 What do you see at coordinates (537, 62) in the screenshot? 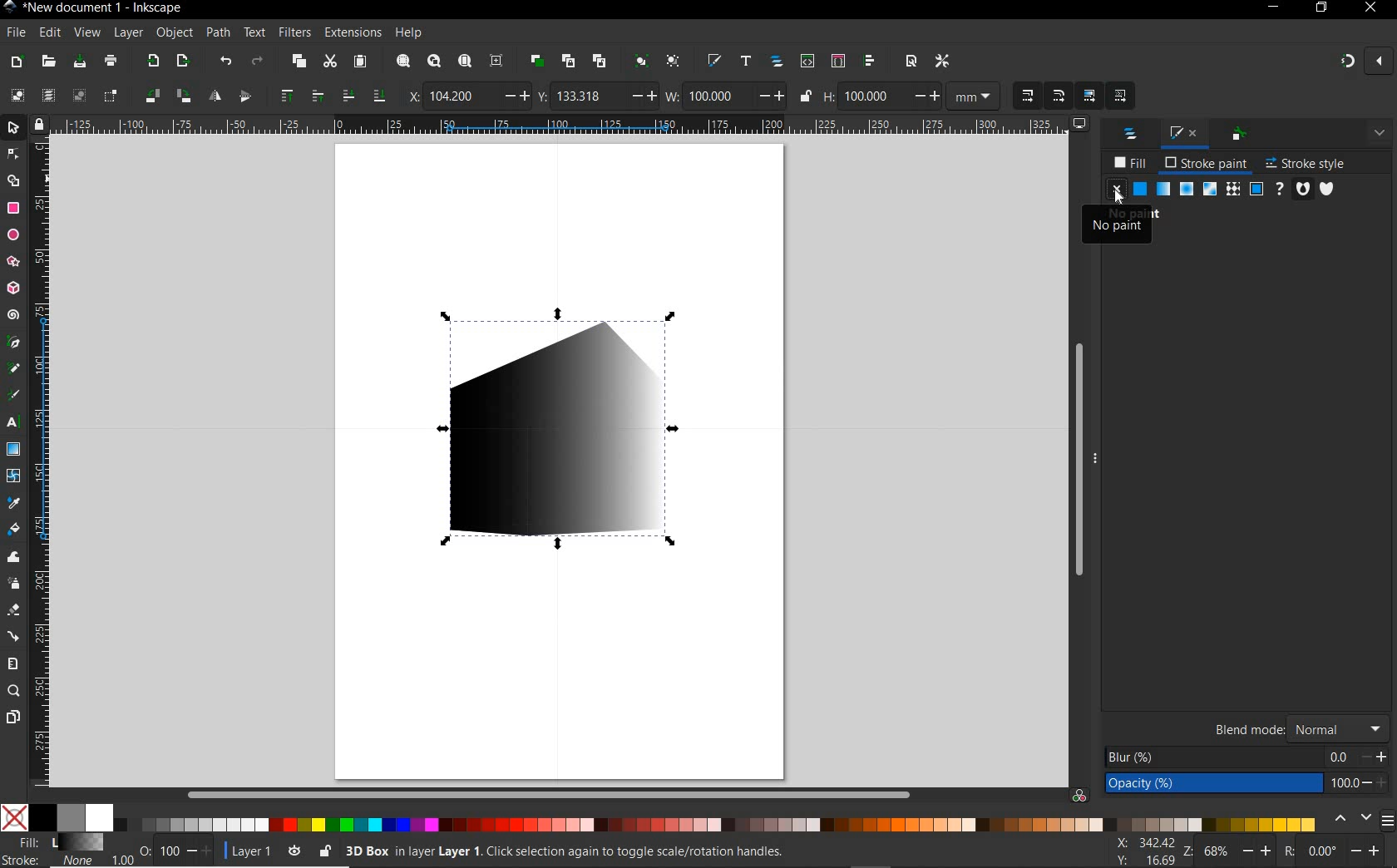
I see `DUPLICATE` at bounding box center [537, 62].